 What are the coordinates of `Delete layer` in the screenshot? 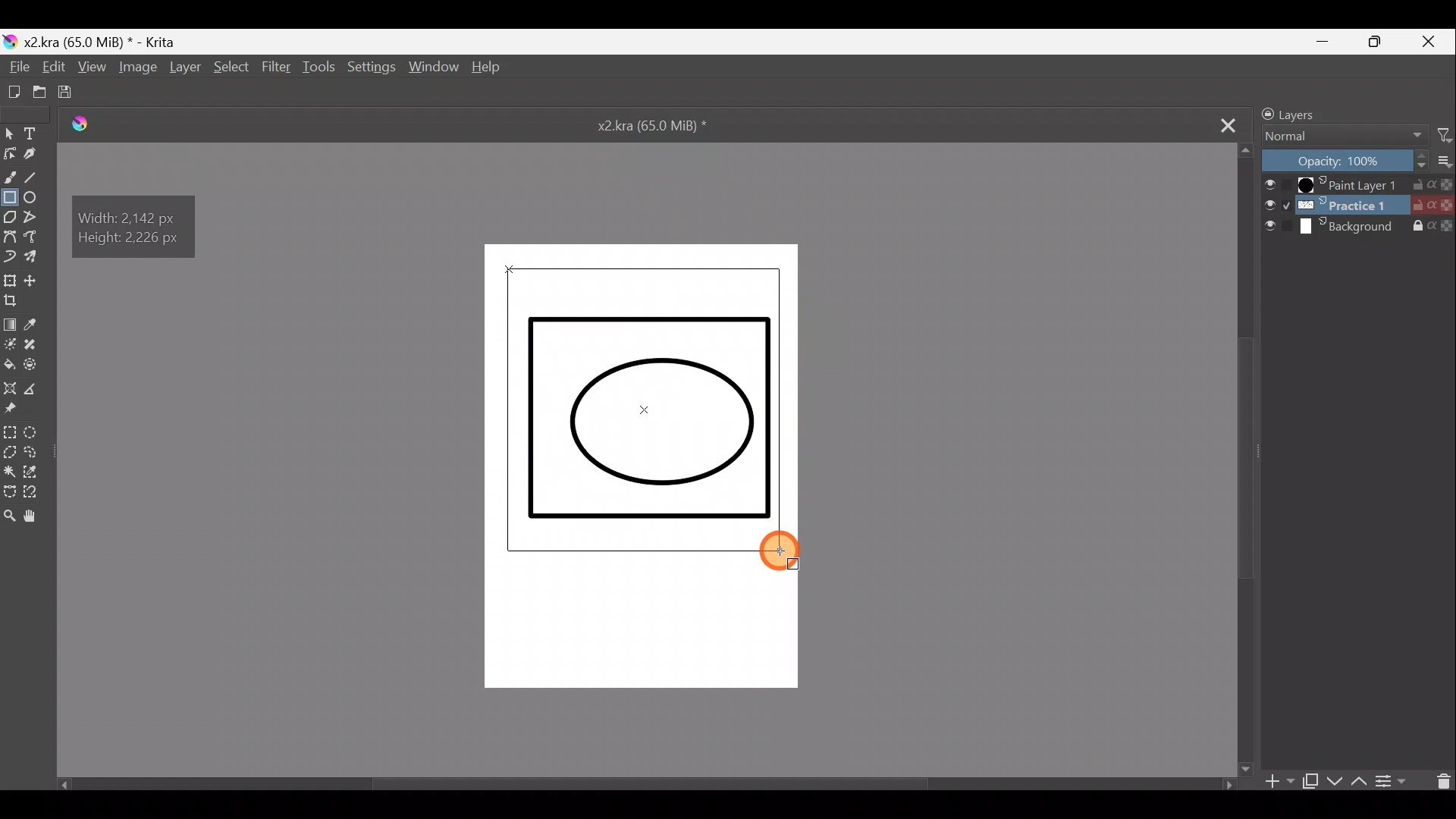 It's located at (1438, 783).